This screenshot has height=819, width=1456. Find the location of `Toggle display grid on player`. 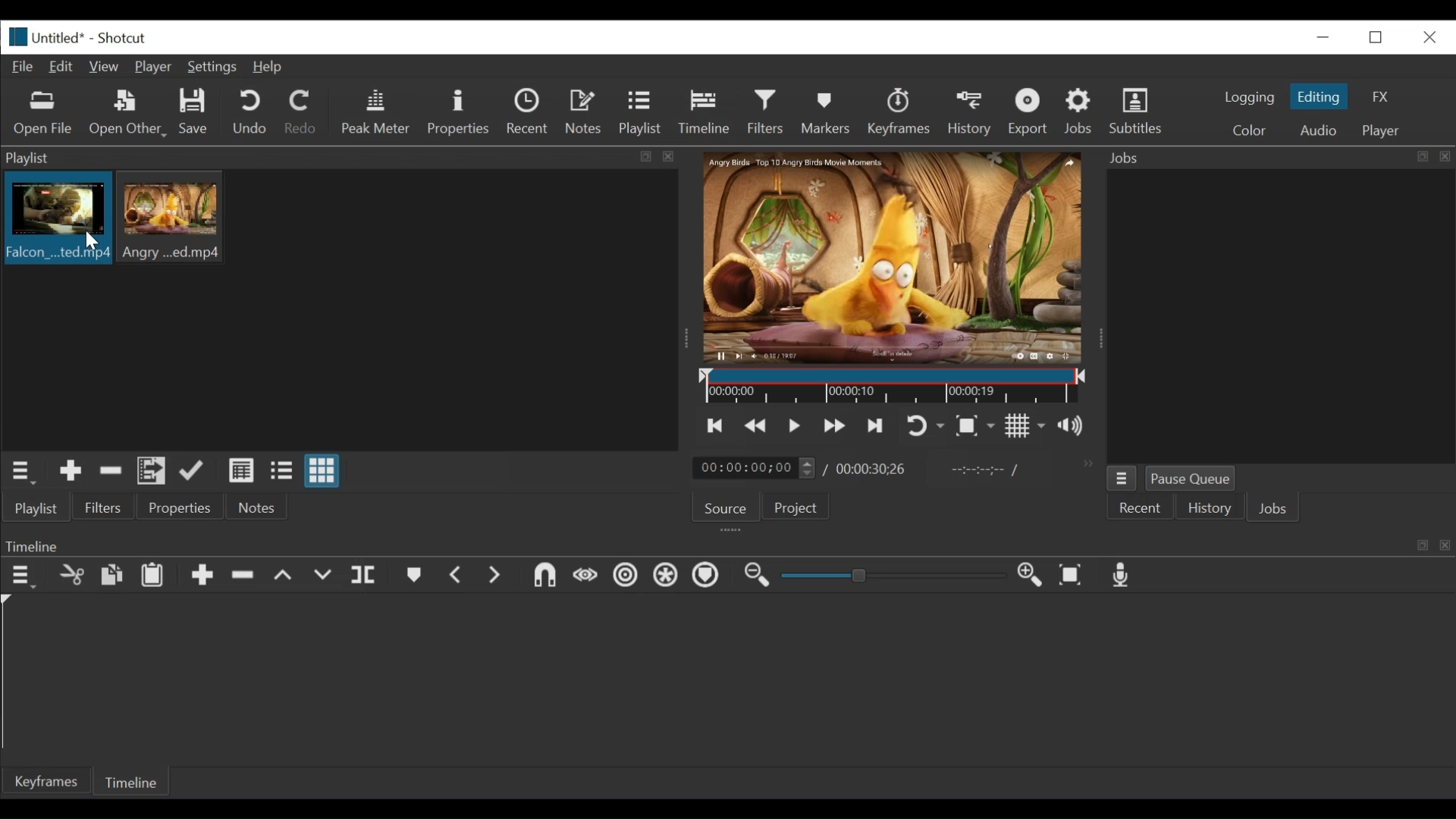

Toggle display grid on player is located at coordinates (1025, 425).